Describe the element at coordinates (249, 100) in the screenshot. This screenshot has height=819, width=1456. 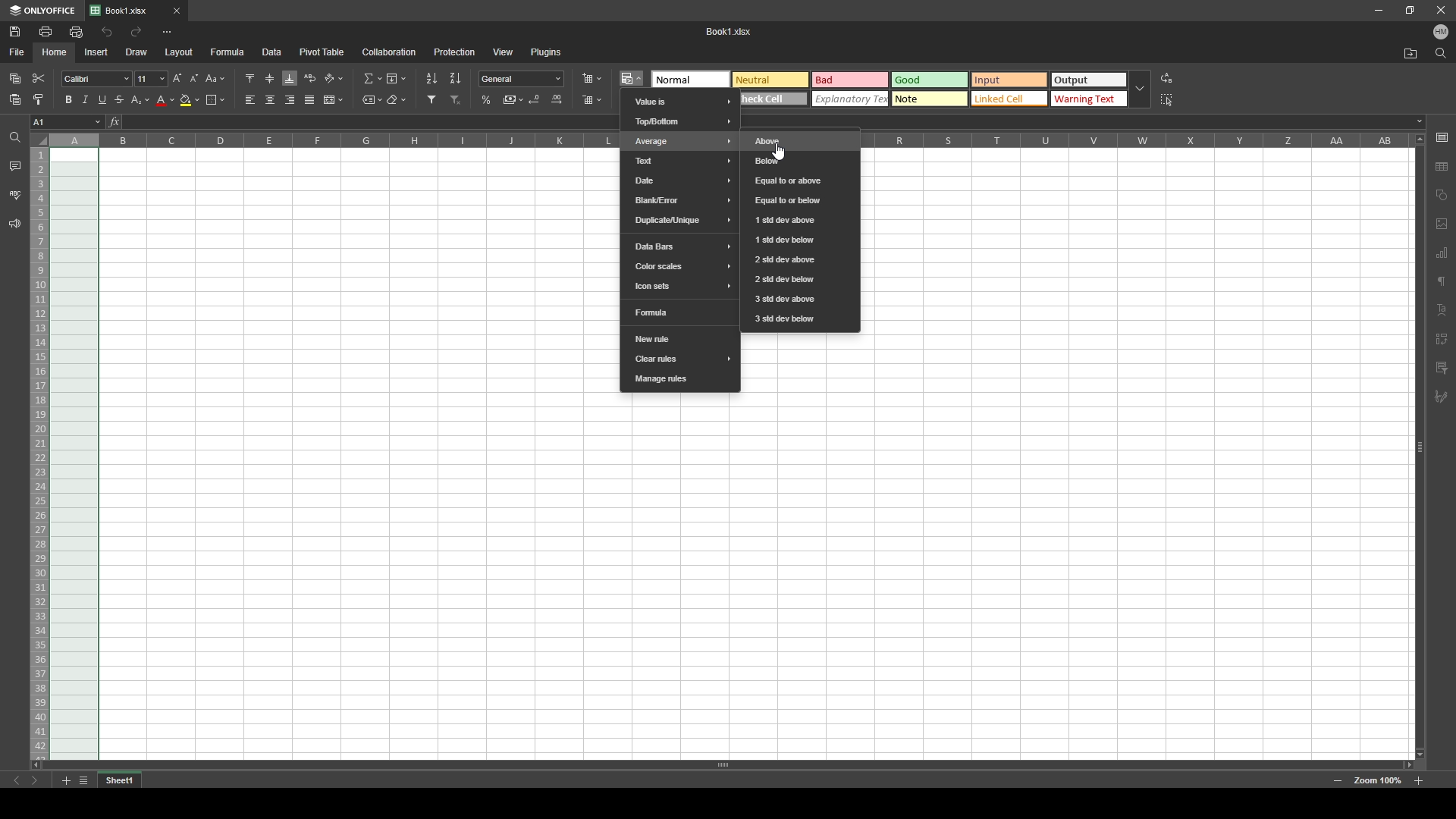
I see `align left` at that location.